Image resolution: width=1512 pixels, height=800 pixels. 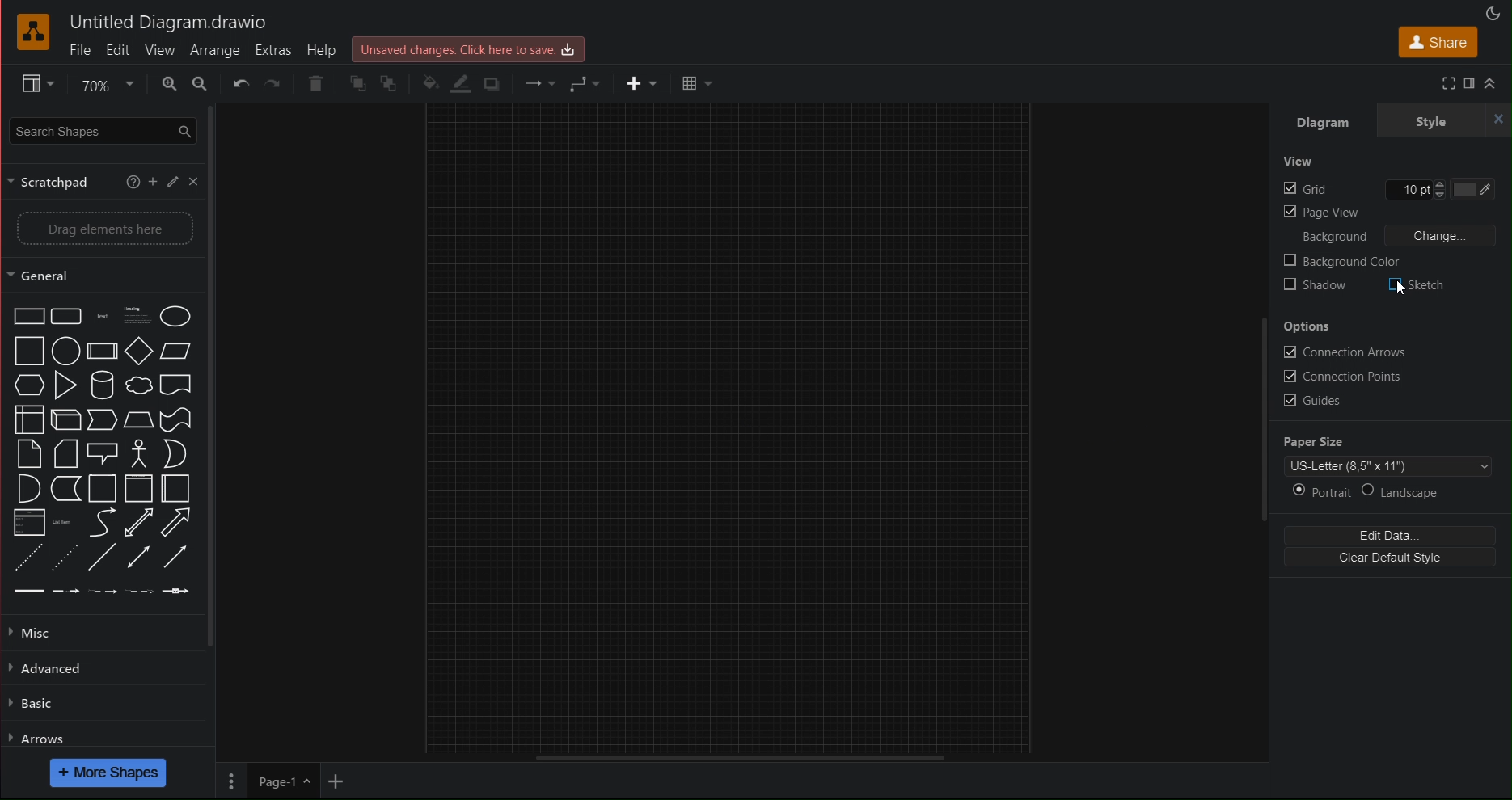 I want to click on More Shapes, so click(x=112, y=773).